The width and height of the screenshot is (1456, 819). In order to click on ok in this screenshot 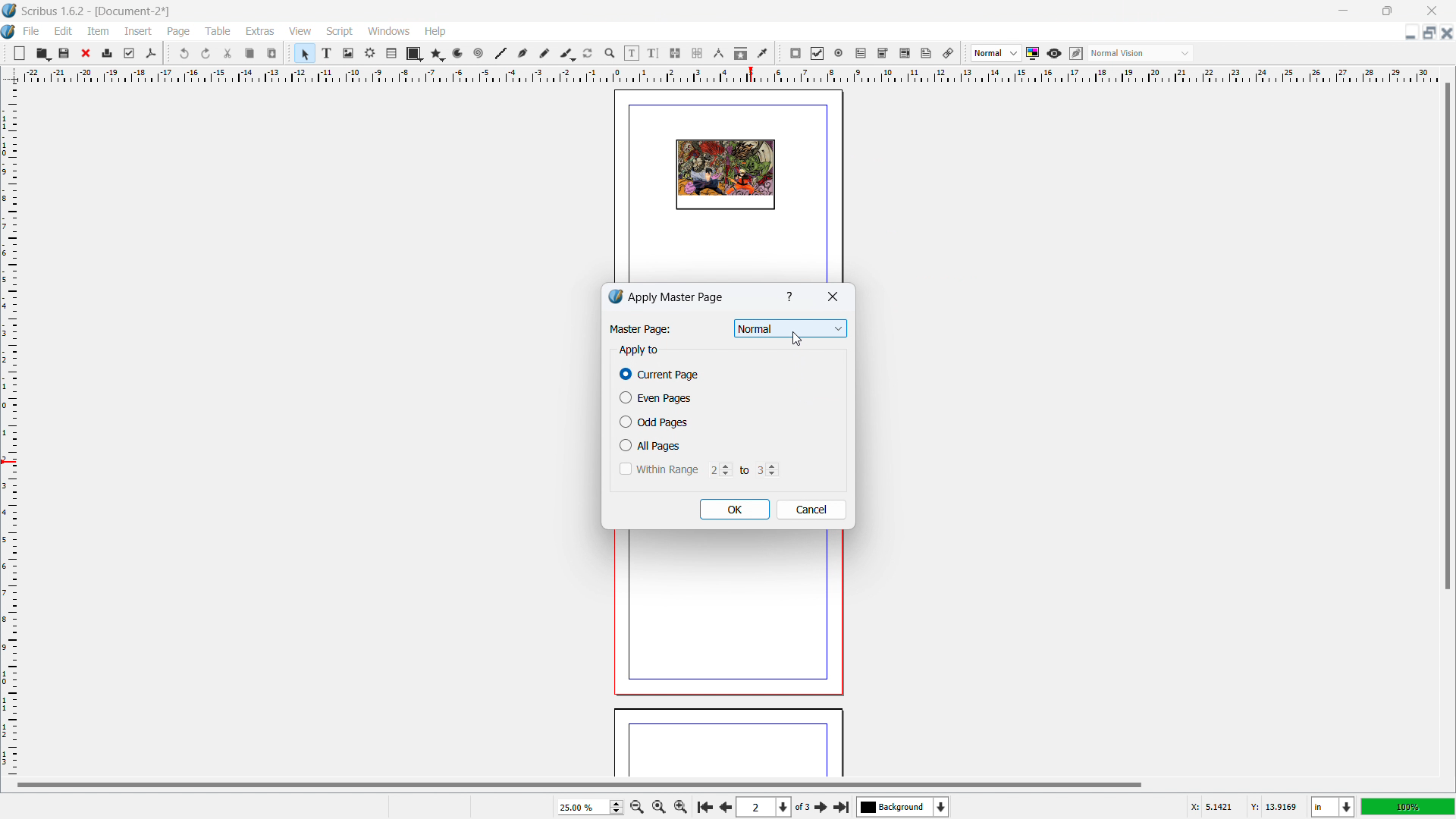, I will do `click(735, 510)`.